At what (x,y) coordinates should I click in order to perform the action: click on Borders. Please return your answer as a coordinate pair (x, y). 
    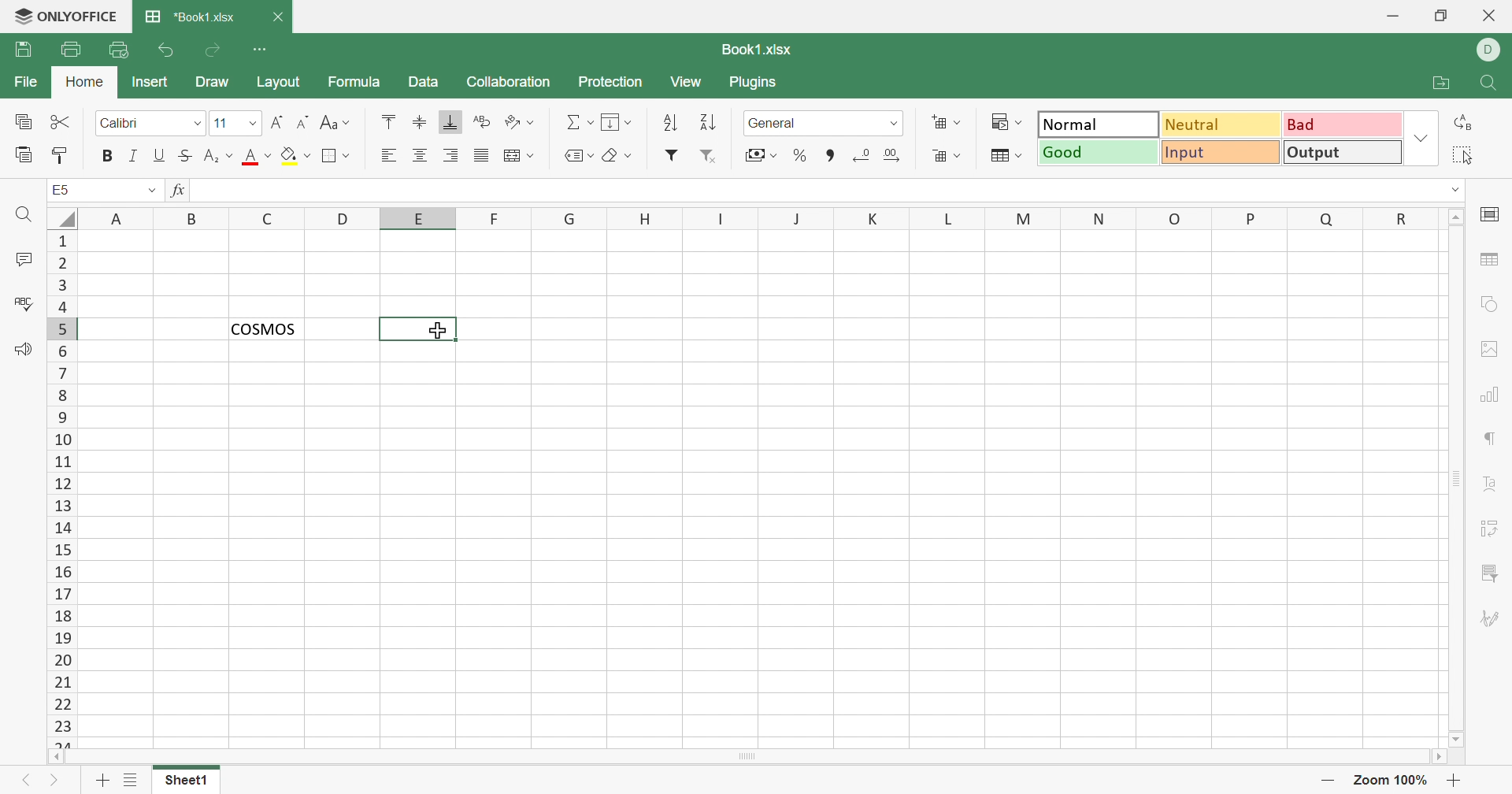
    Looking at the image, I should click on (338, 157).